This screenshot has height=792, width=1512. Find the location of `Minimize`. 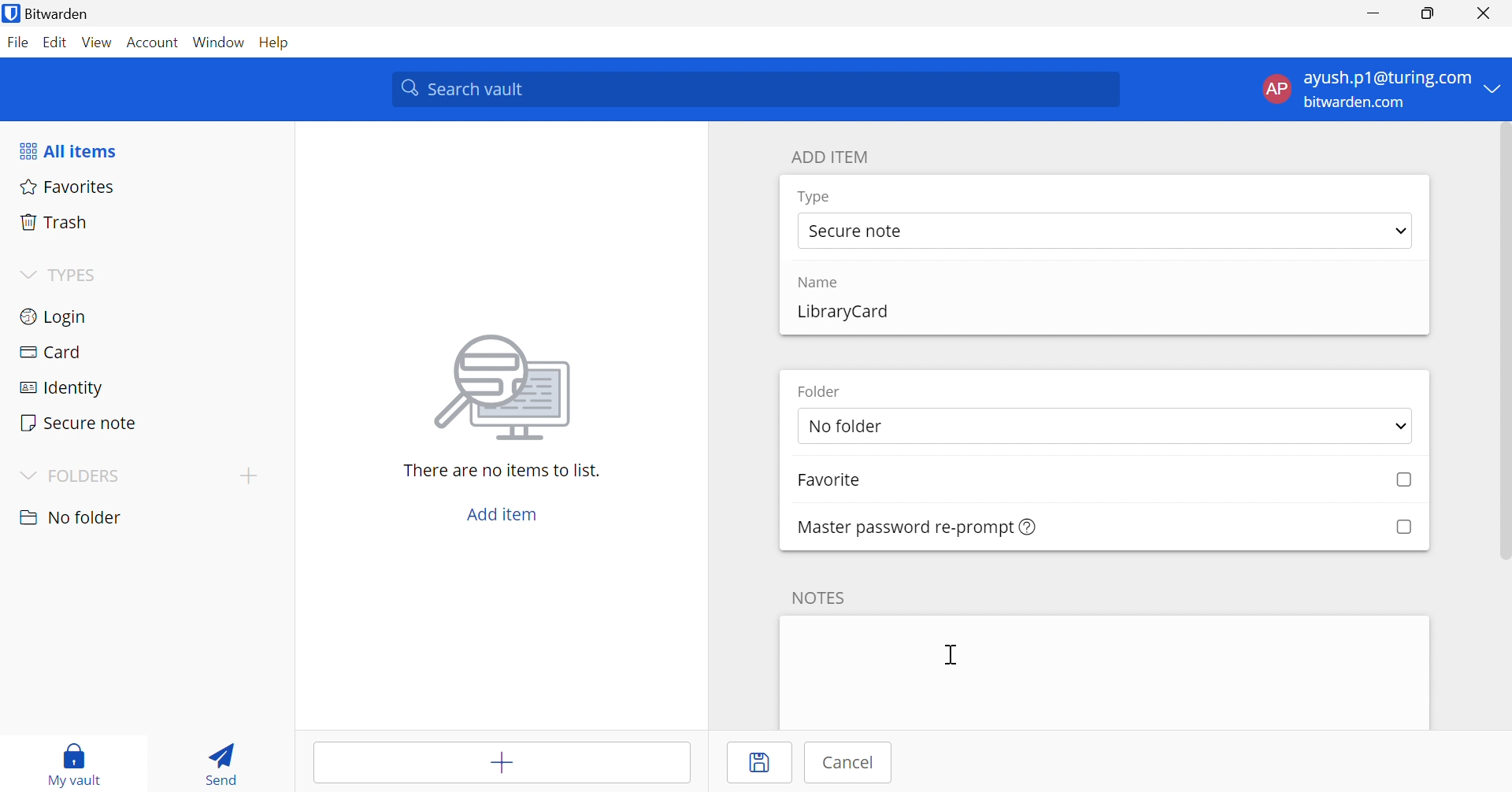

Minimize is located at coordinates (1374, 12).